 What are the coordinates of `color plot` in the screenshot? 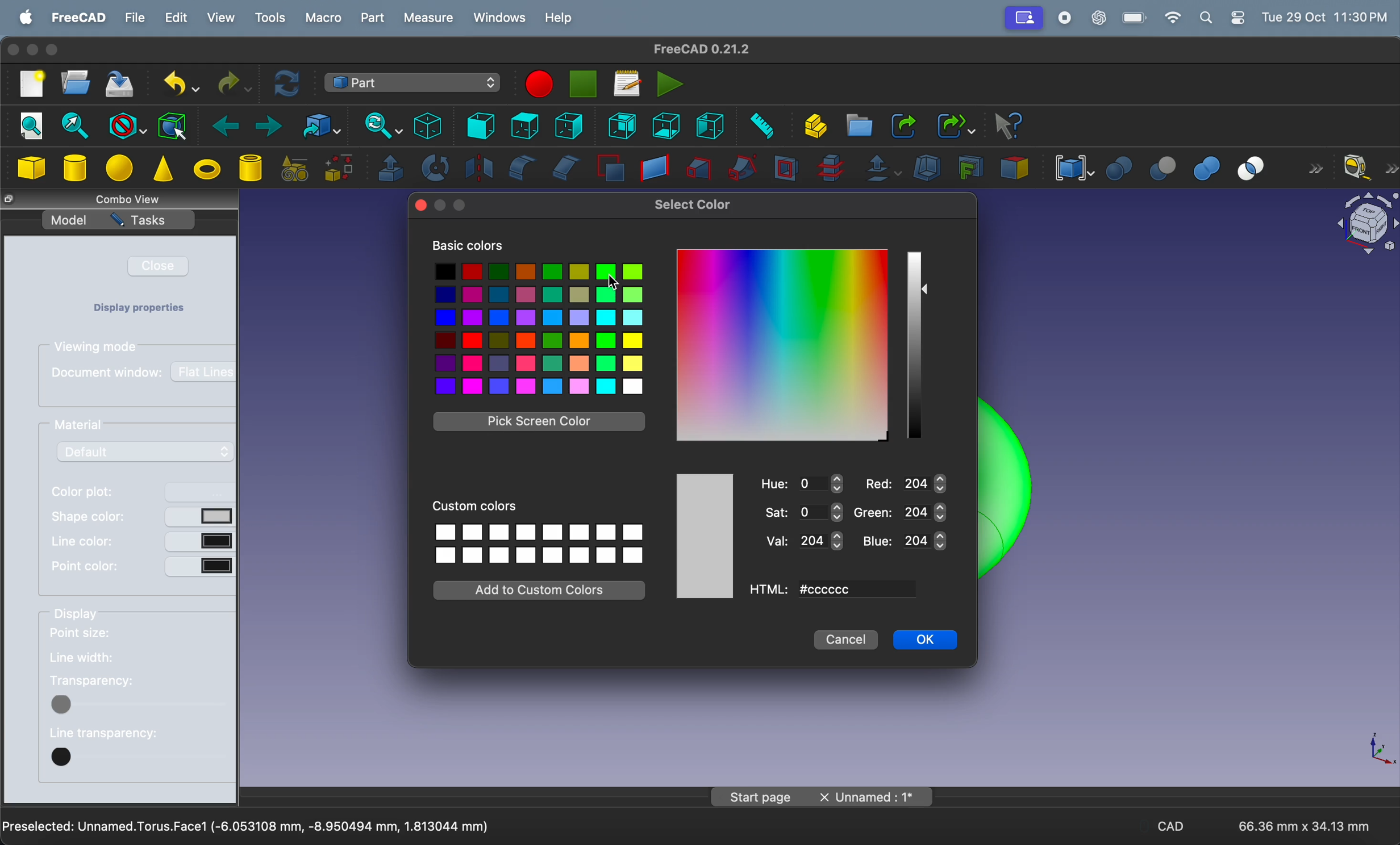 It's located at (90, 491).